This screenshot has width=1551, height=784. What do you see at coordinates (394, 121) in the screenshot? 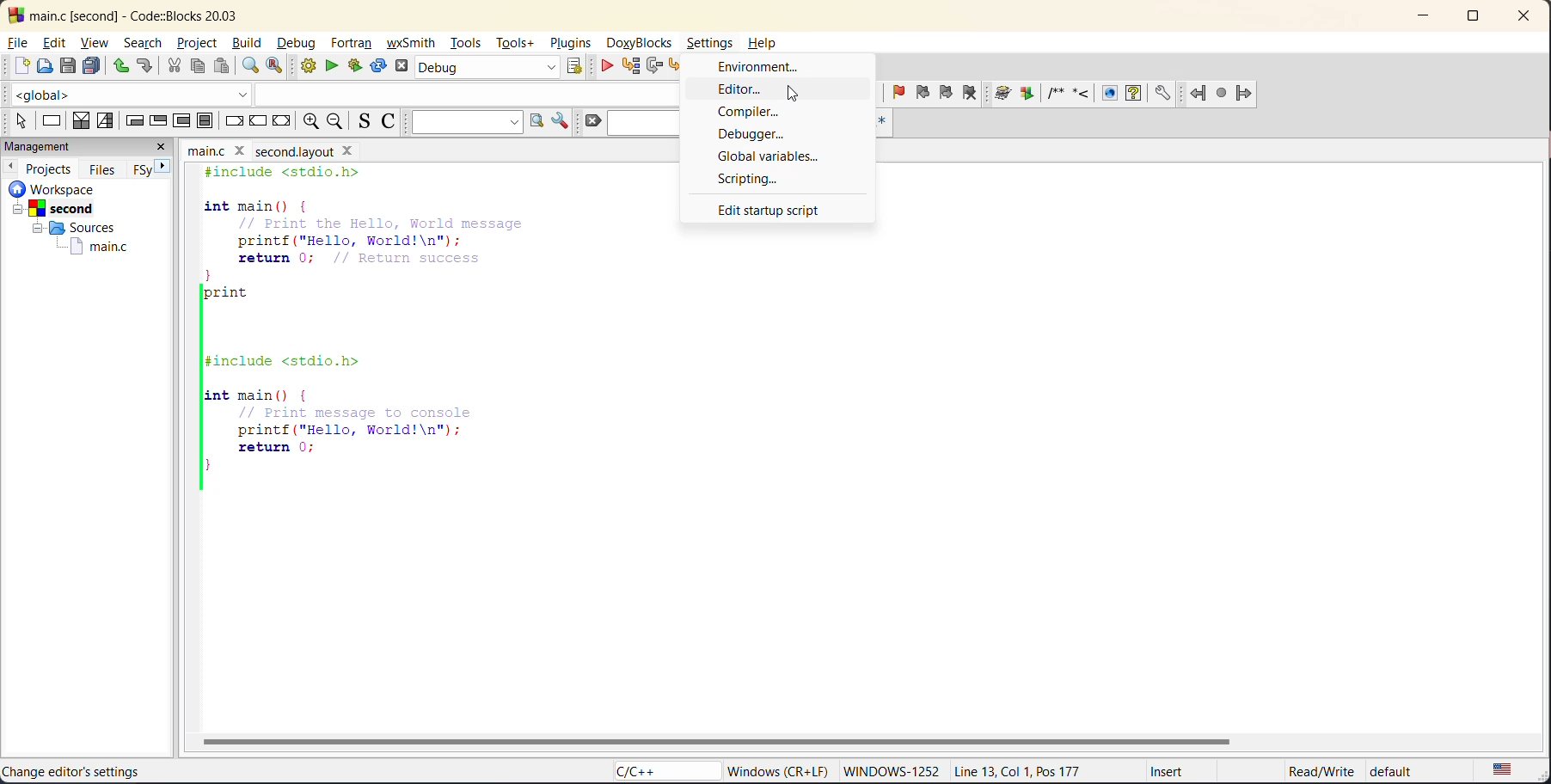
I see `toggle comments` at bounding box center [394, 121].